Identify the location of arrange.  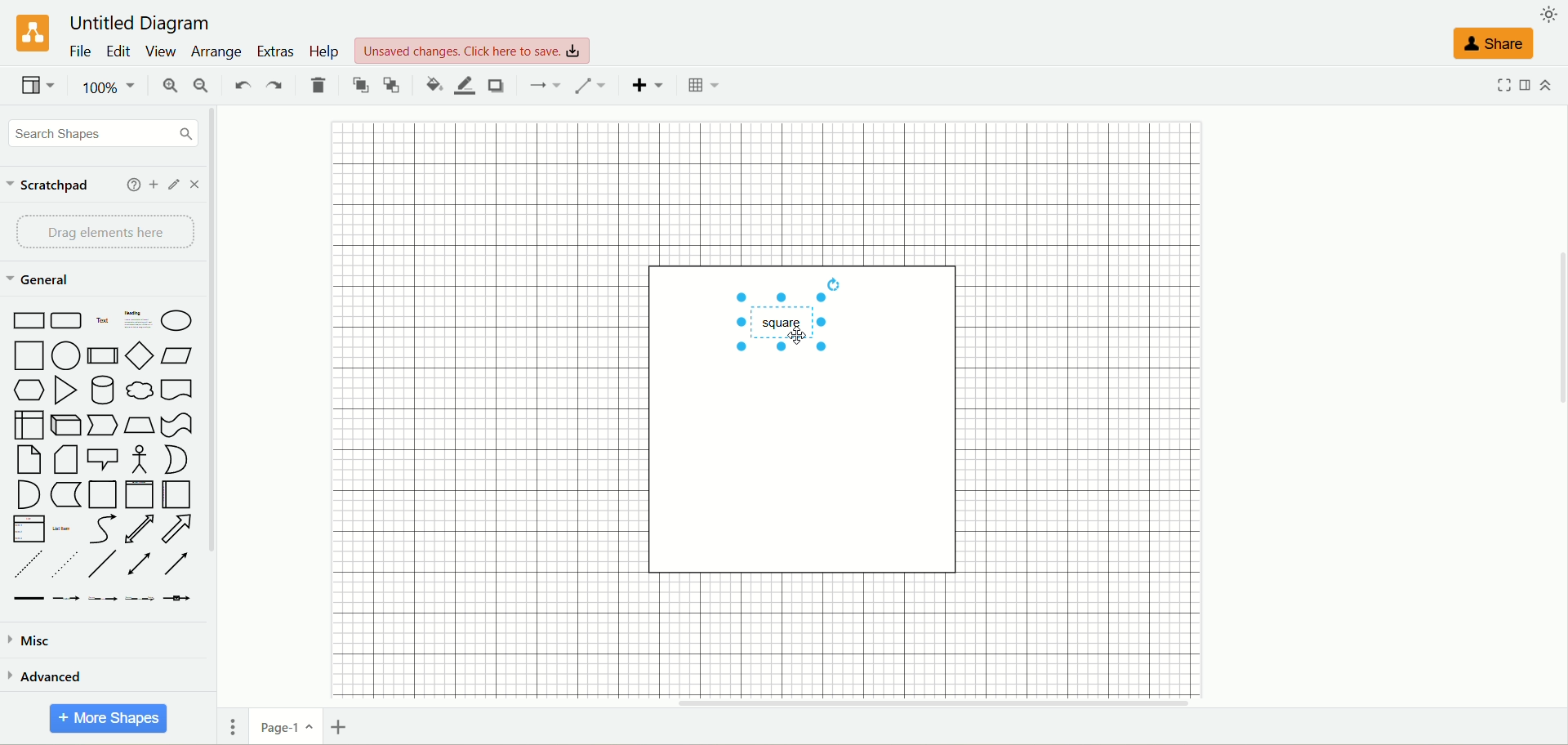
(215, 52).